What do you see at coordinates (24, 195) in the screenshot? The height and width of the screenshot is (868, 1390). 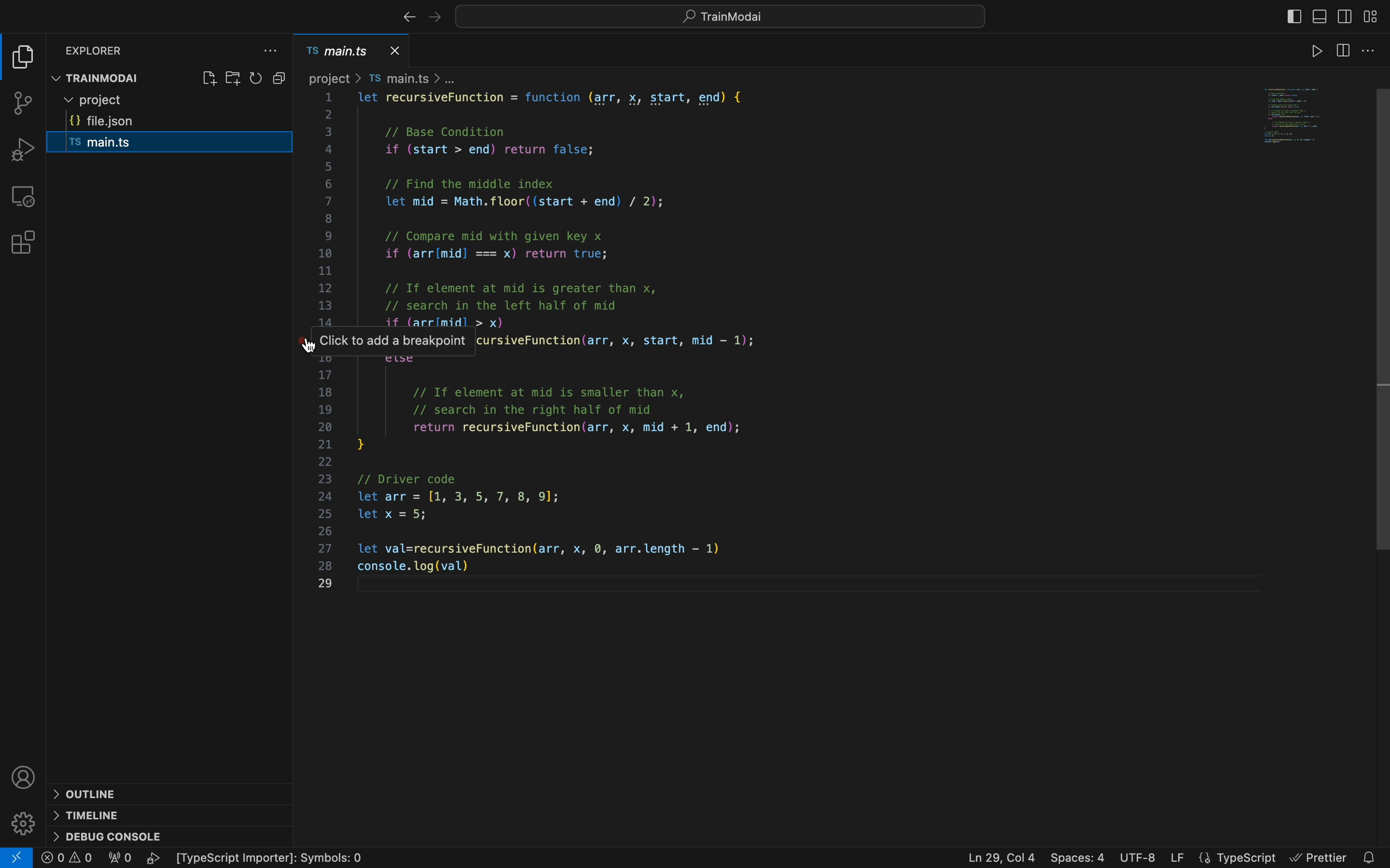 I see `remote explore` at bounding box center [24, 195].